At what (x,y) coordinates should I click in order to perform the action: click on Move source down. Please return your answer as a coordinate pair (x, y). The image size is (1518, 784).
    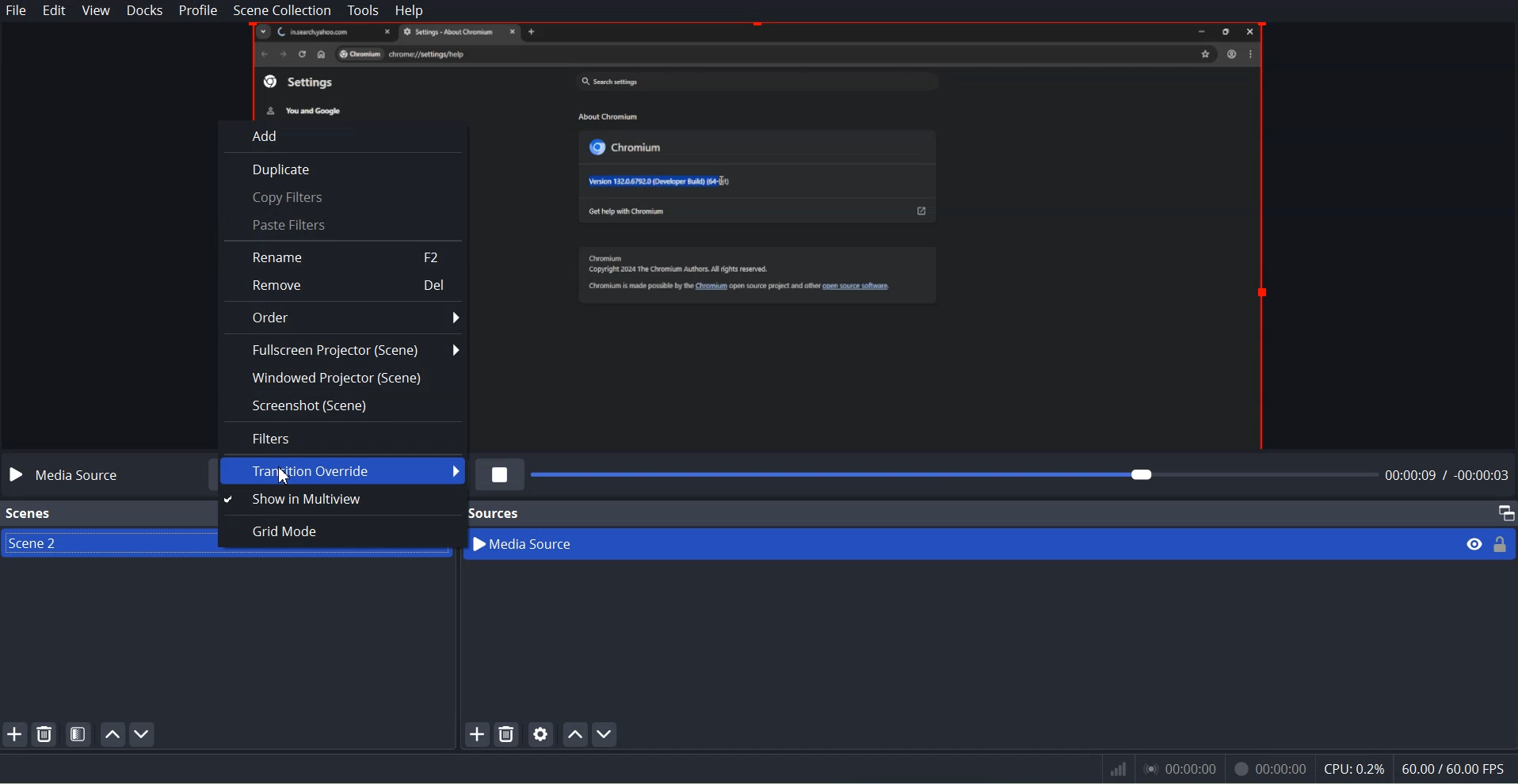
    Looking at the image, I should click on (605, 734).